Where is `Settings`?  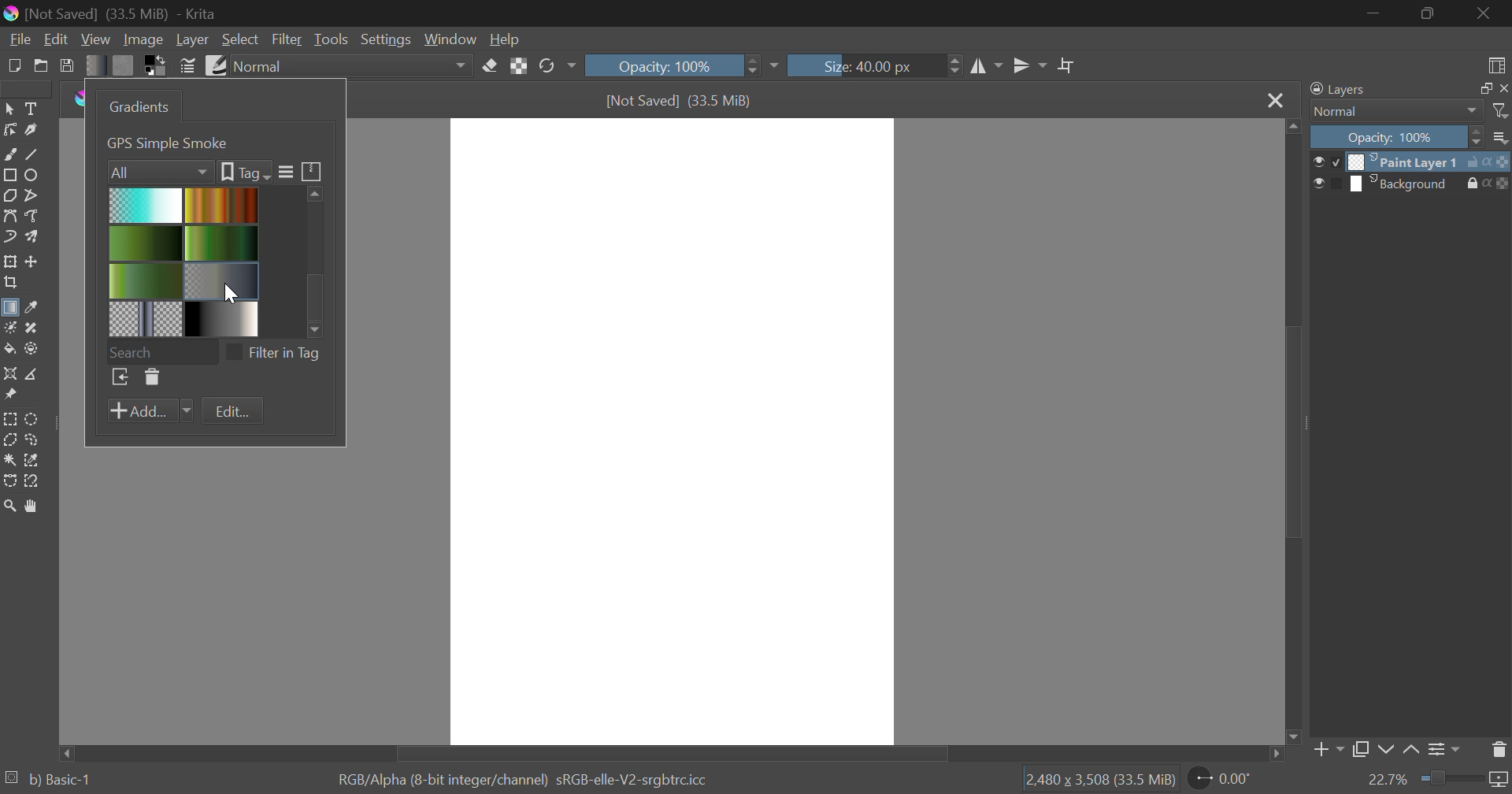
Settings is located at coordinates (384, 39).